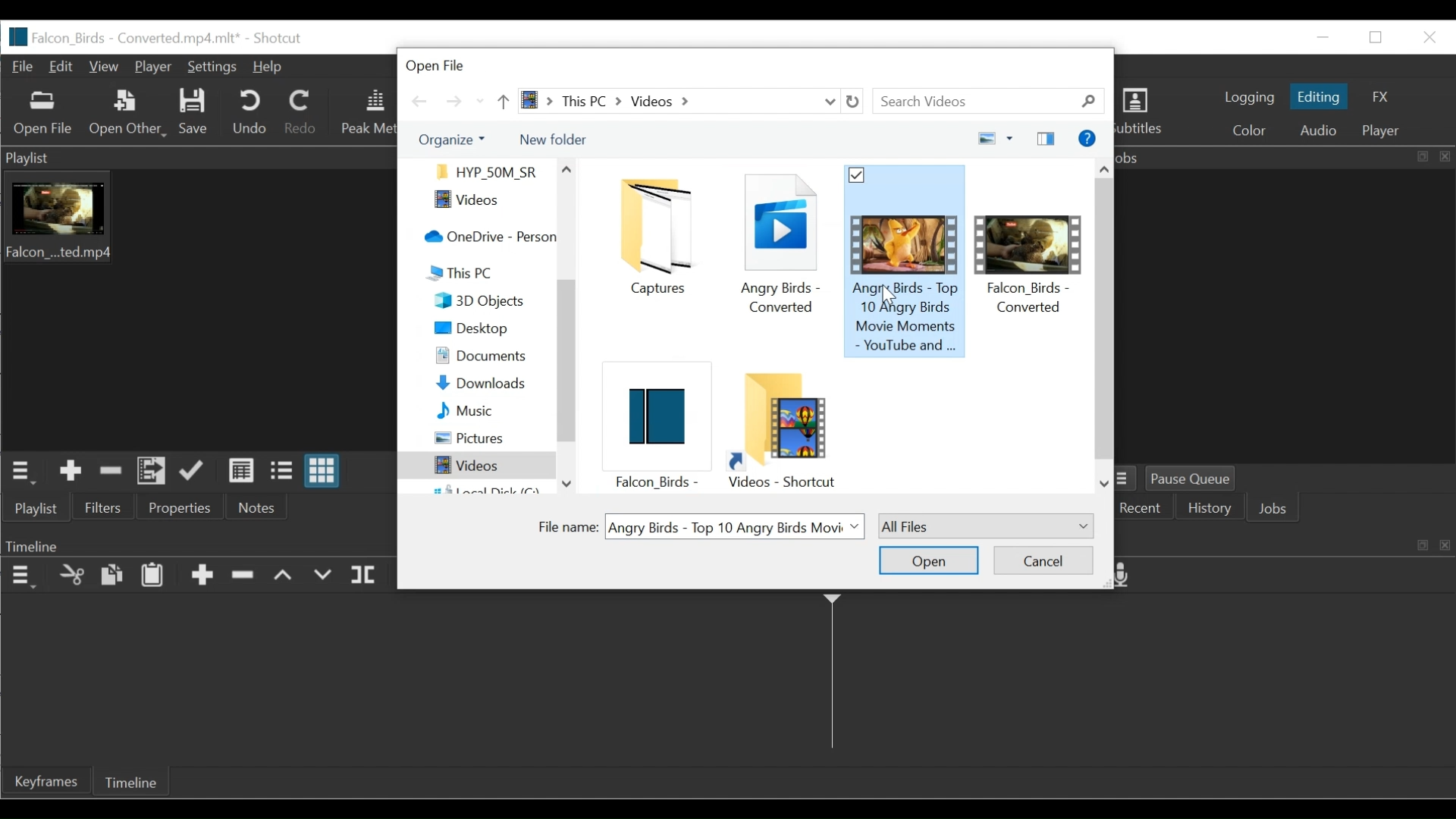 This screenshot has height=819, width=1456. What do you see at coordinates (64, 67) in the screenshot?
I see `Edit` at bounding box center [64, 67].